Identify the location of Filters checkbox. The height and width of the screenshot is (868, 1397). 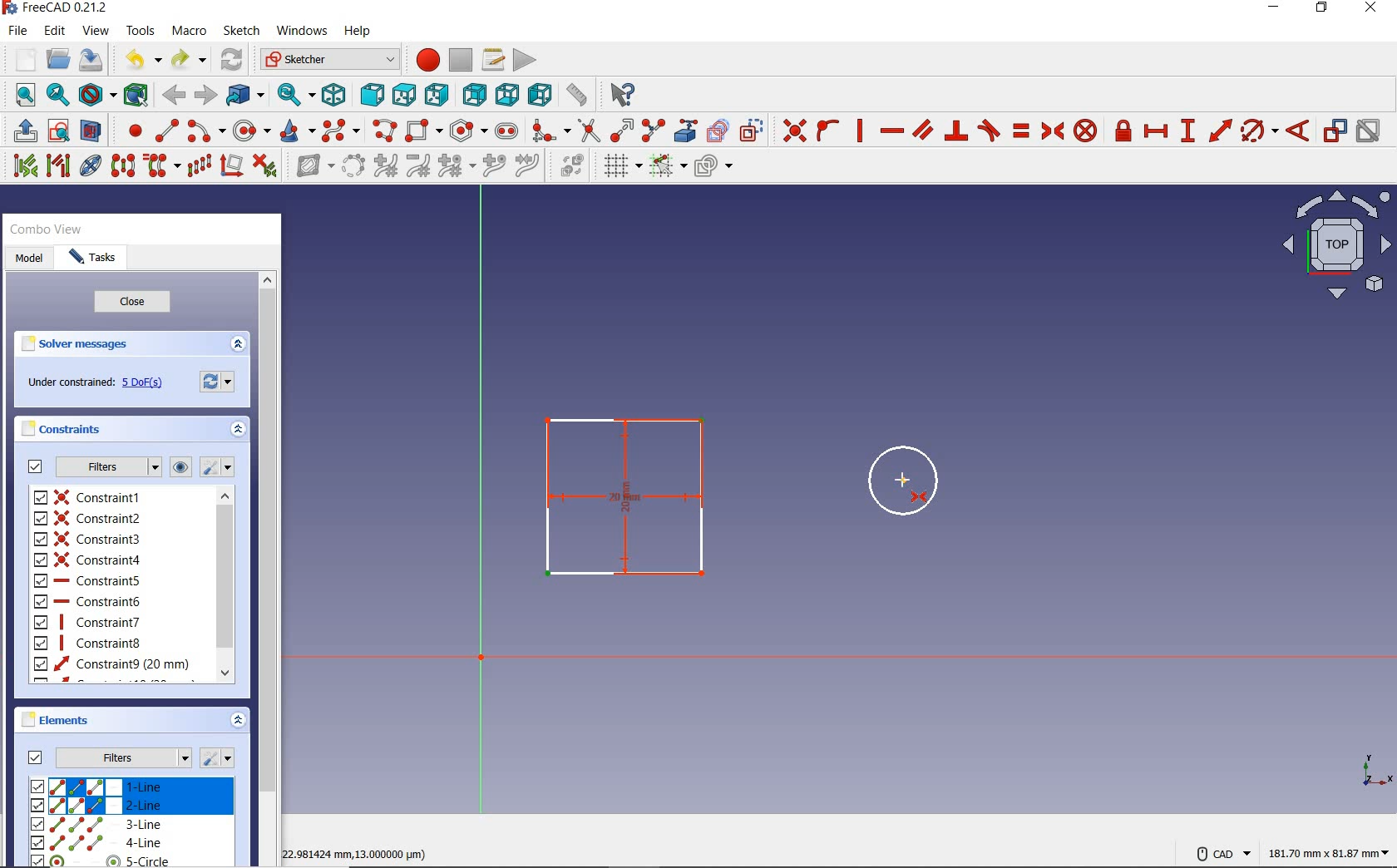
(32, 464).